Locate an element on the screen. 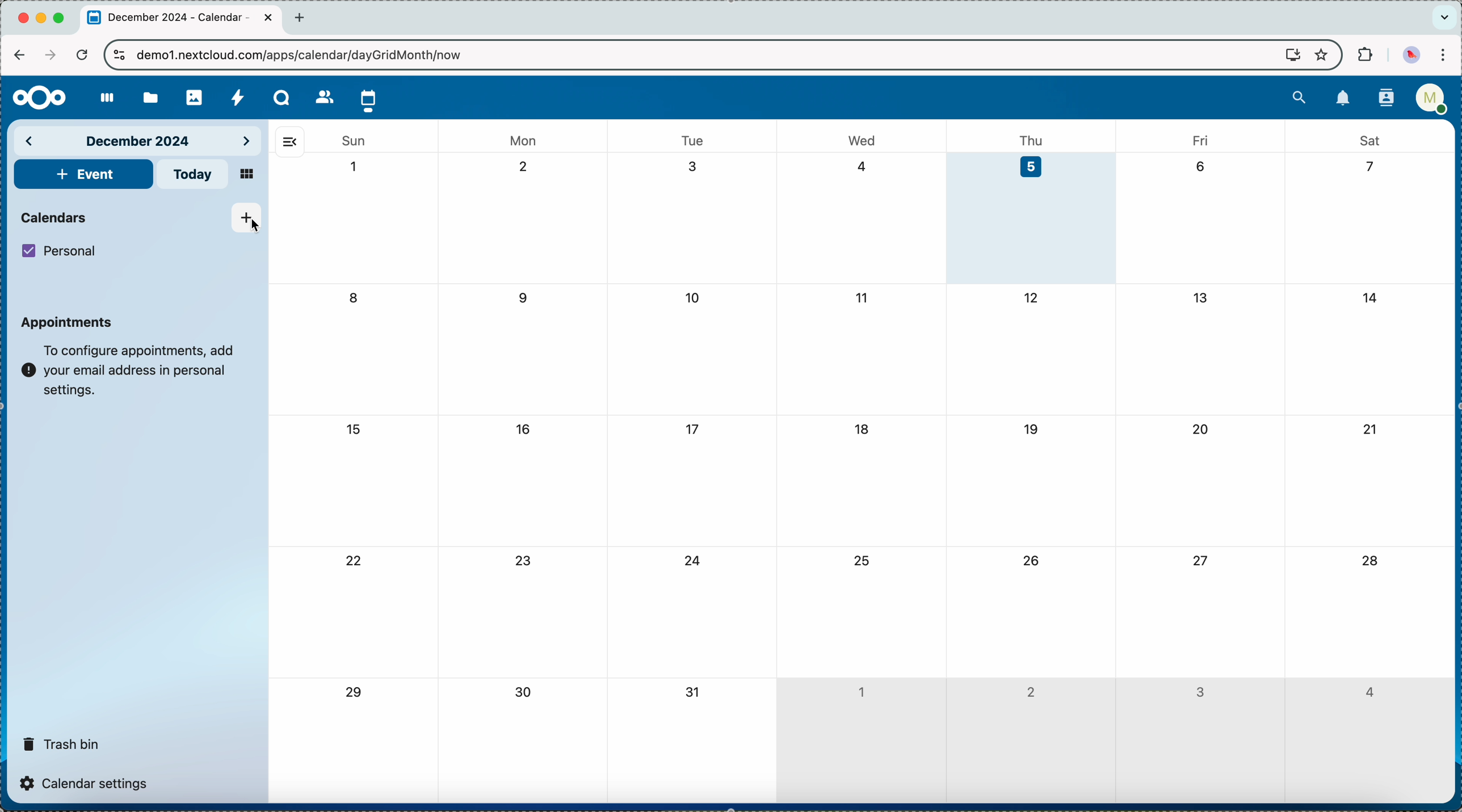 The width and height of the screenshot is (1462, 812). screen is located at coordinates (1287, 56).